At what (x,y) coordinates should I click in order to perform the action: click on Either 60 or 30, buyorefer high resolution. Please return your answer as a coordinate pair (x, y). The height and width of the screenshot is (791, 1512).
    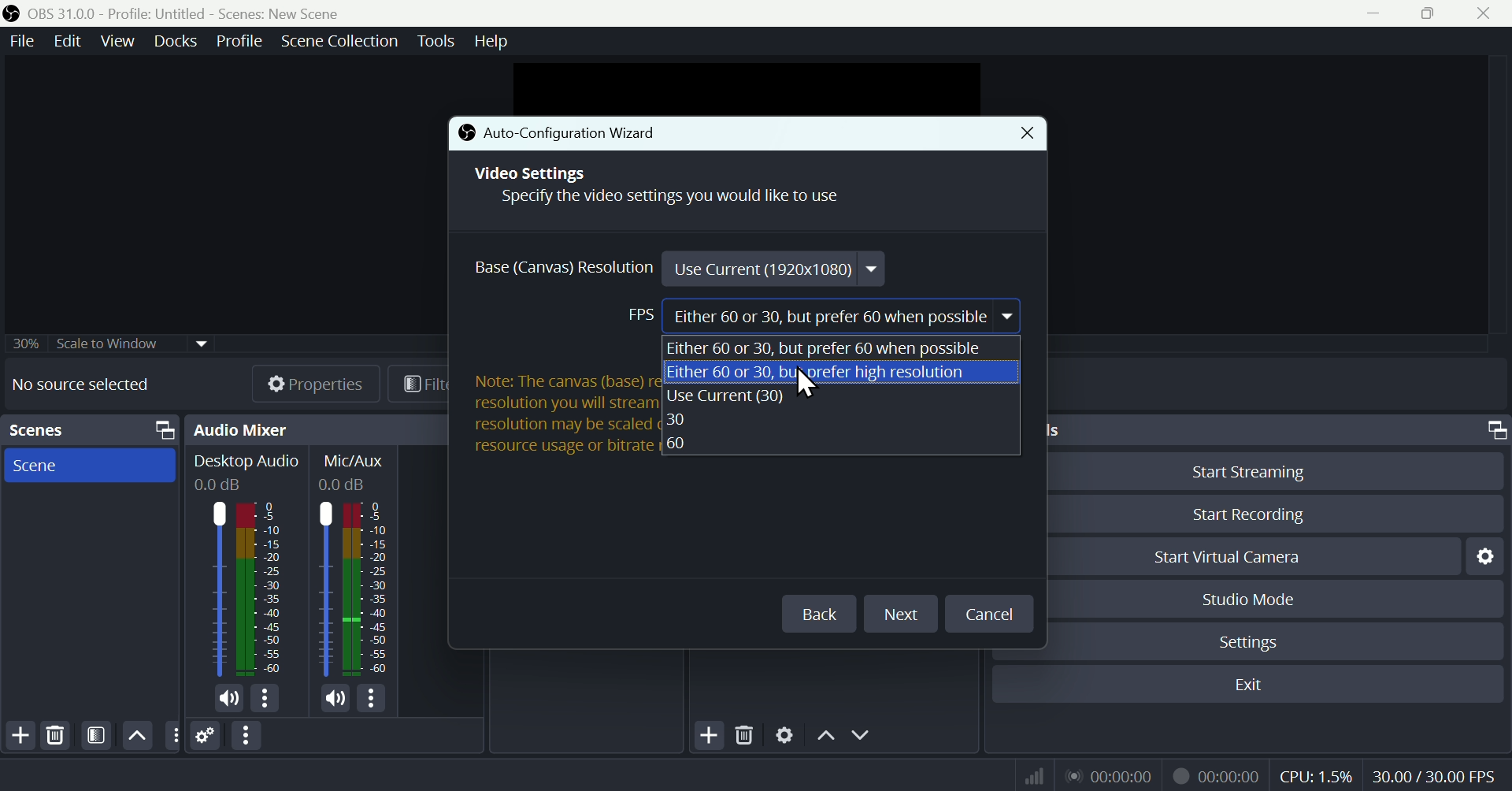
    Looking at the image, I should click on (840, 372).